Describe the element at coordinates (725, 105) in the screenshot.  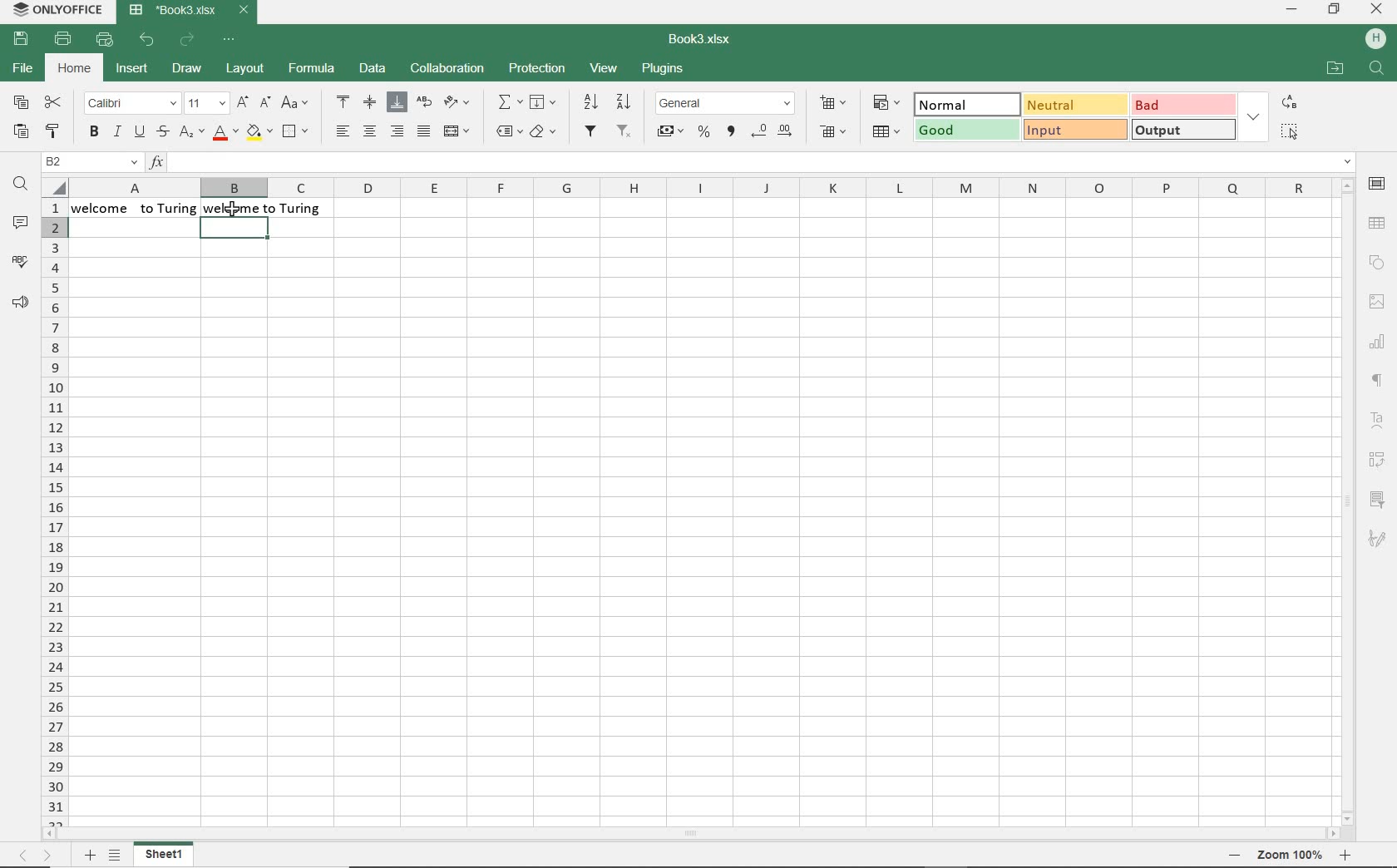
I see `number format` at that location.